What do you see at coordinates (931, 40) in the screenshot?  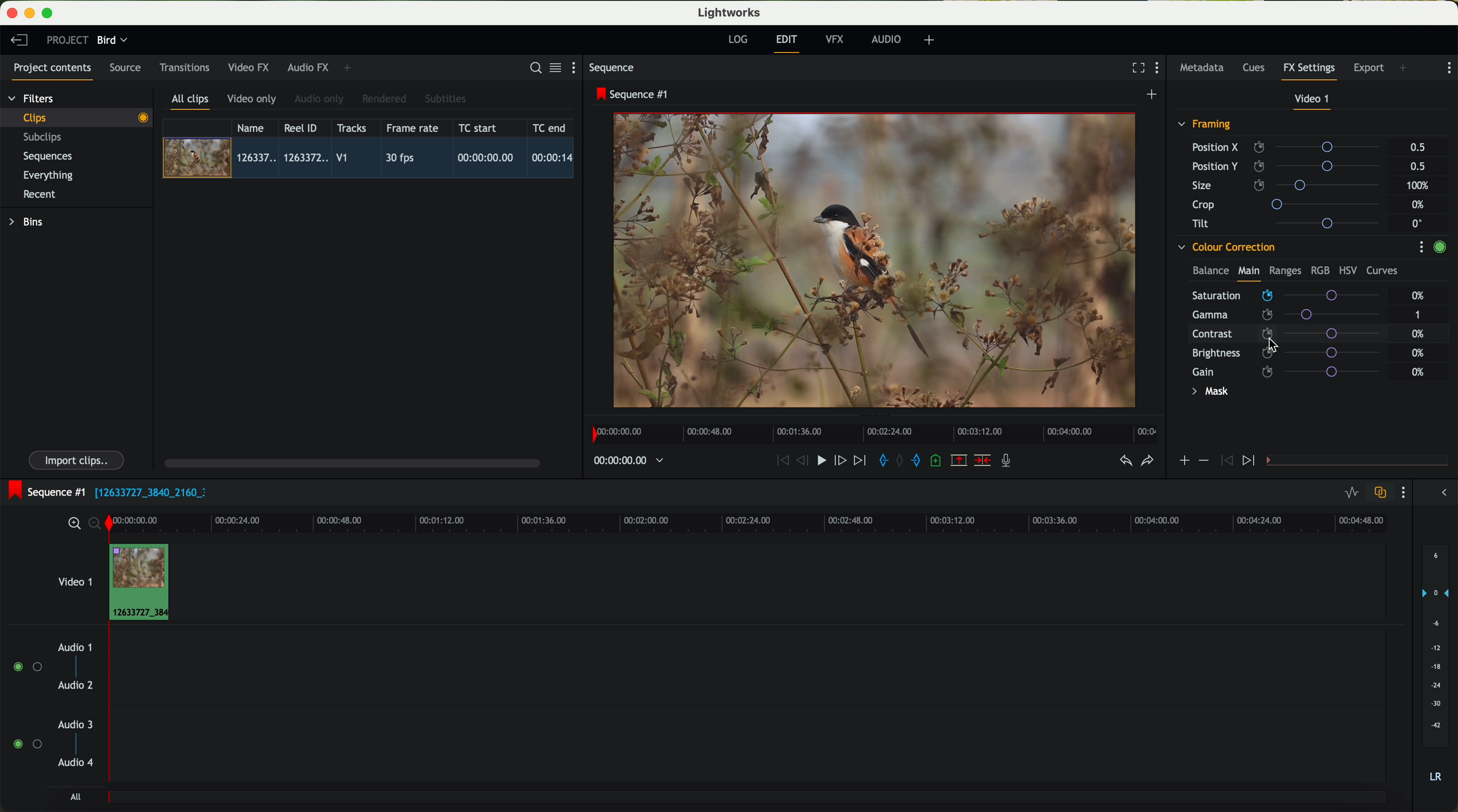 I see `add, remove and create layouts` at bounding box center [931, 40].